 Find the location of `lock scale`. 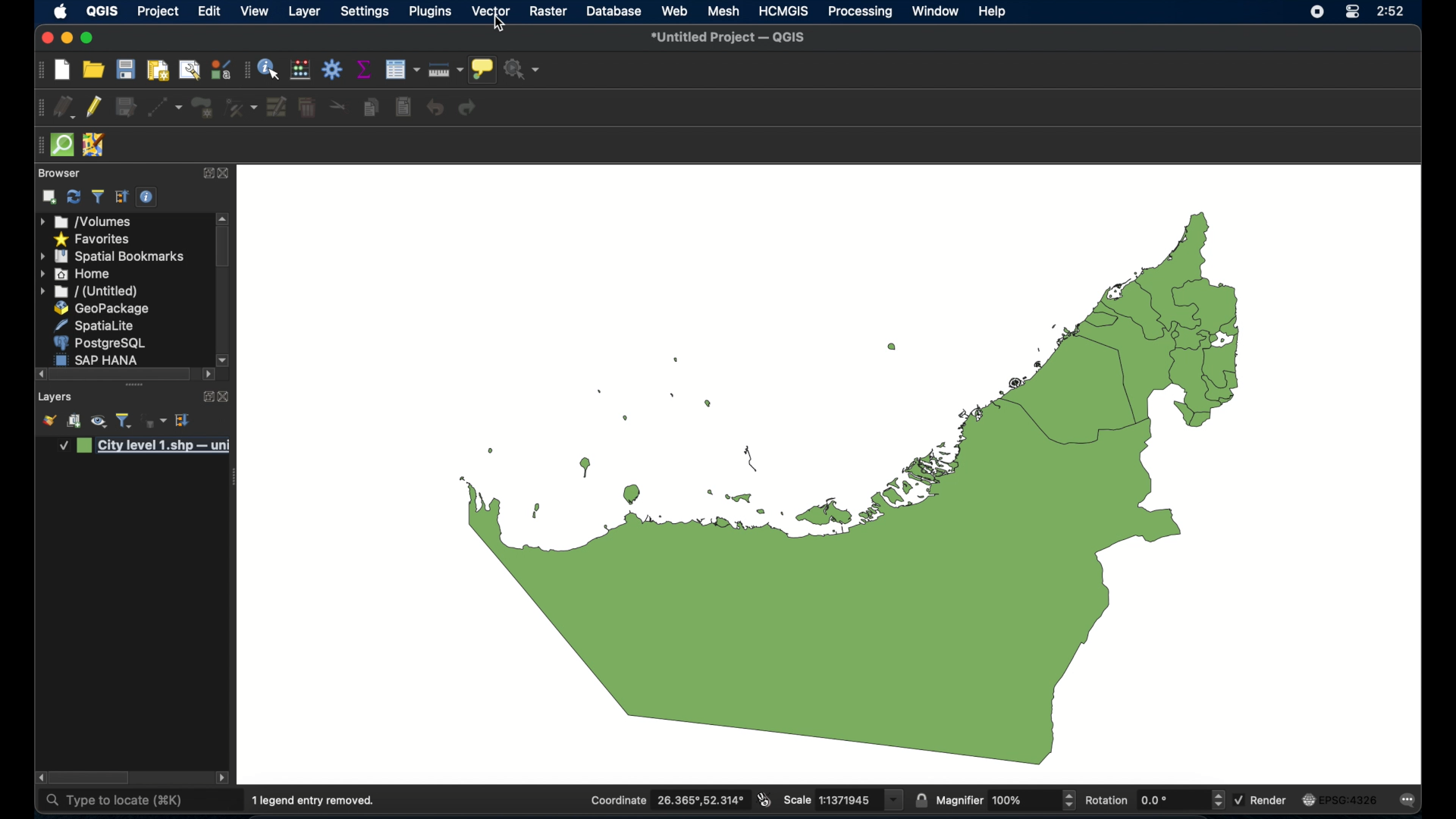

lock scale is located at coordinates (921, 799).